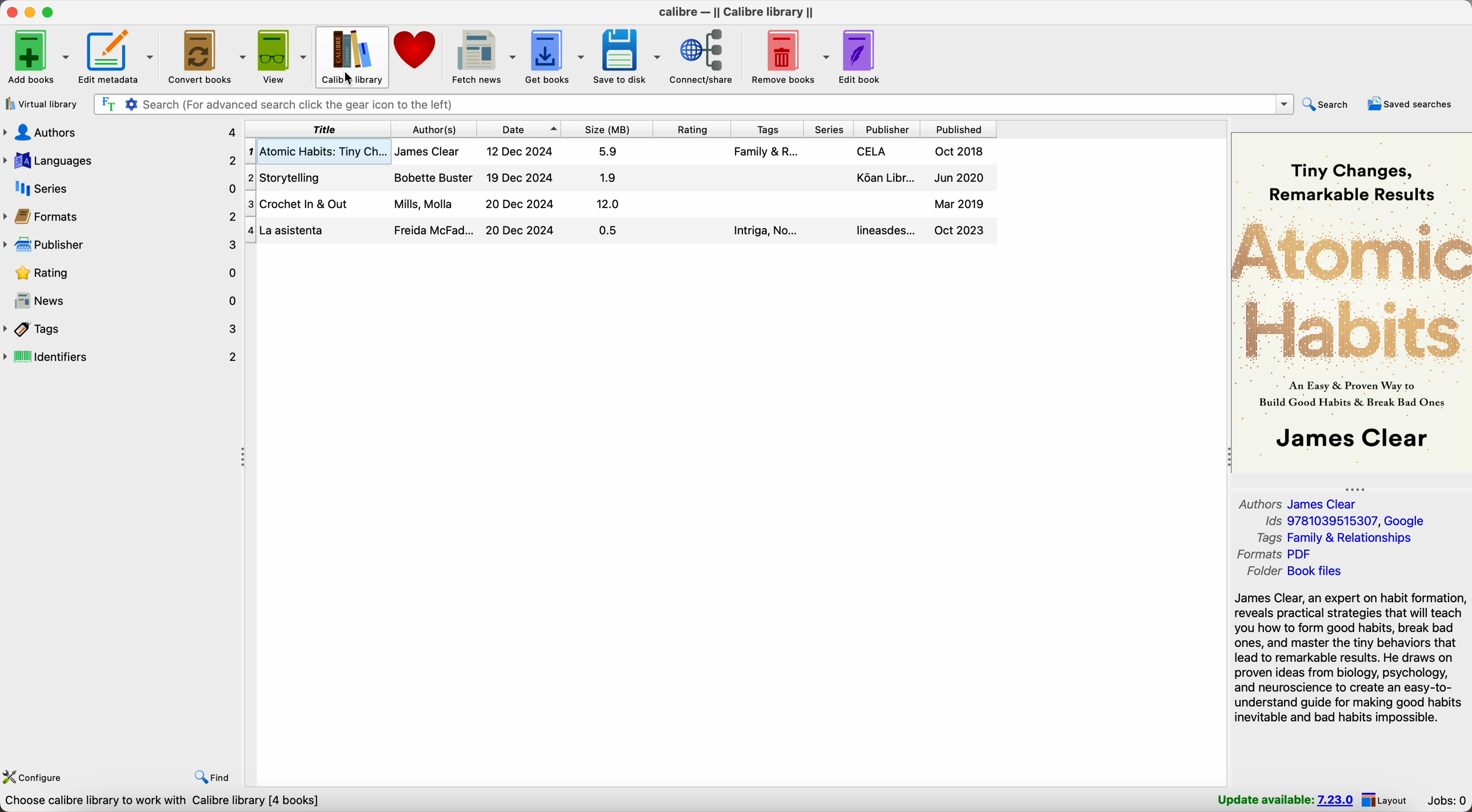 Image resolution: width=1472 pixels, height=812 pixels. Describe the element at coordinates (622, 232) in the screenshot. I see `La Asistenta book` at that location.